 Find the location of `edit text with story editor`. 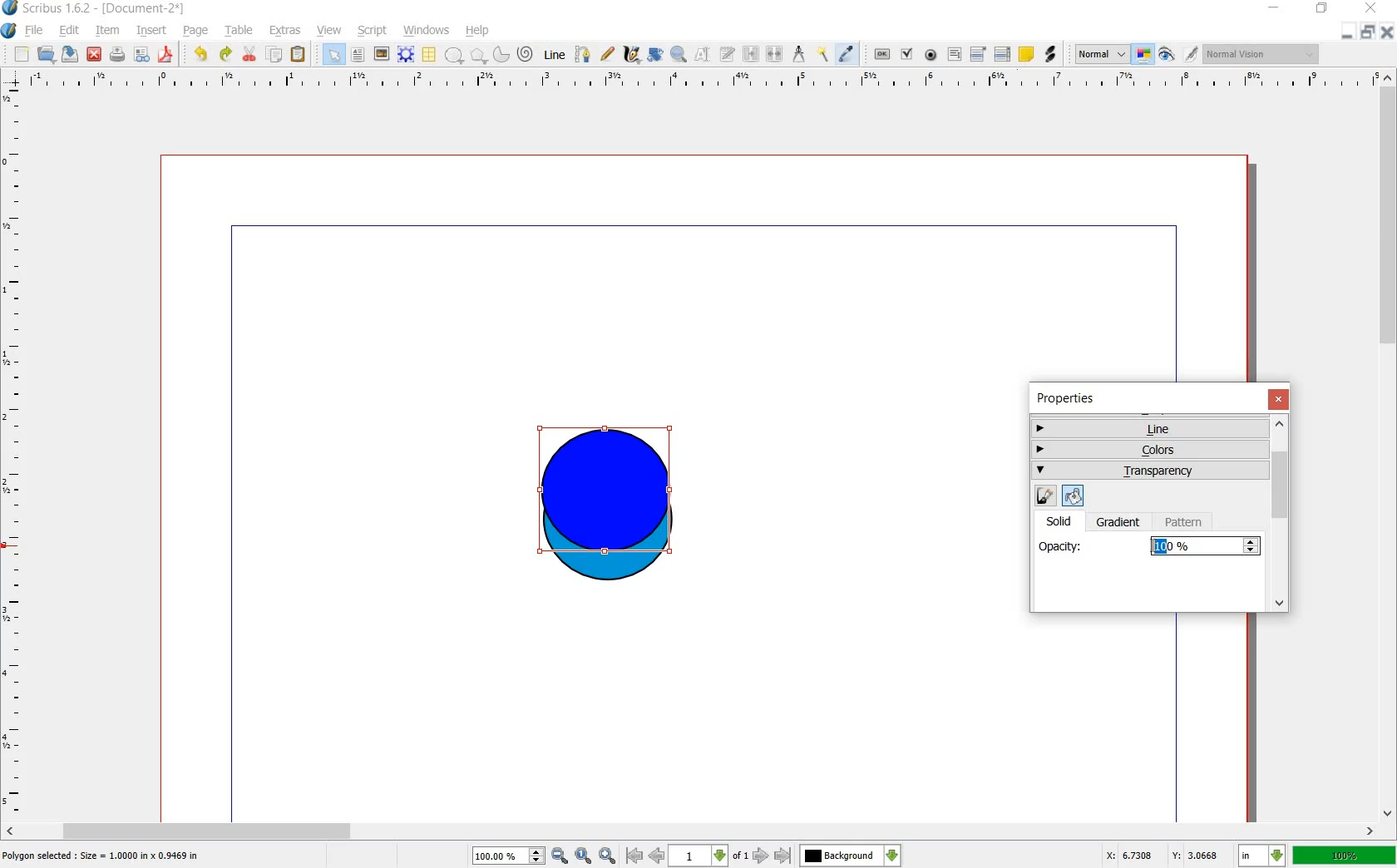

edit text with story editor is located at coordinates (728, 56).